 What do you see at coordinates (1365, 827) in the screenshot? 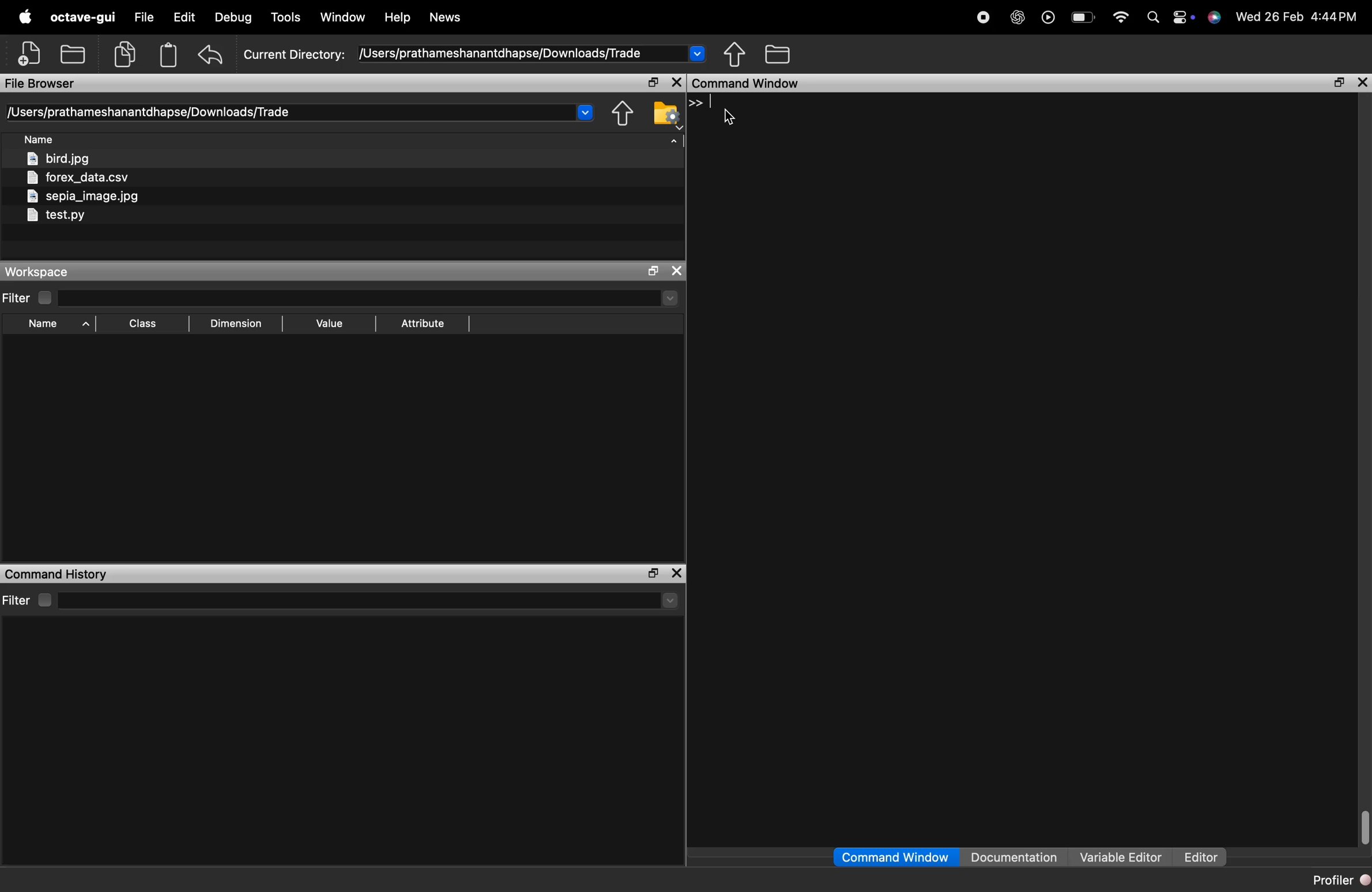
I see `scrollbar` at bounding box center [1365, 827].